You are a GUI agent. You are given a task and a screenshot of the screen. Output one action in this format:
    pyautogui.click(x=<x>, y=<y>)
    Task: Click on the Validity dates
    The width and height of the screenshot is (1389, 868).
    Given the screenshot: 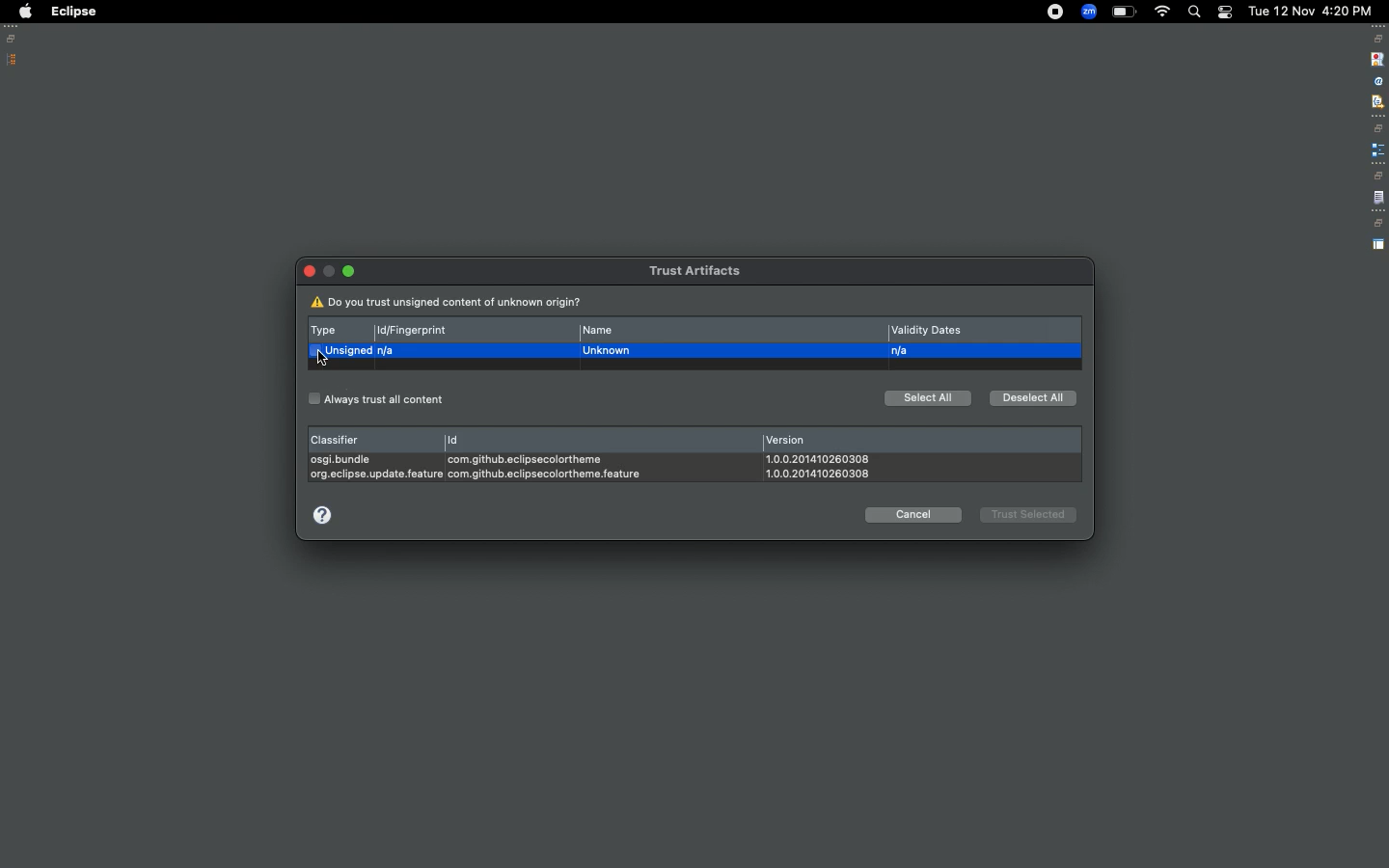 What is the action you would take?
    pyautogui.click(x=931, y=331)
    